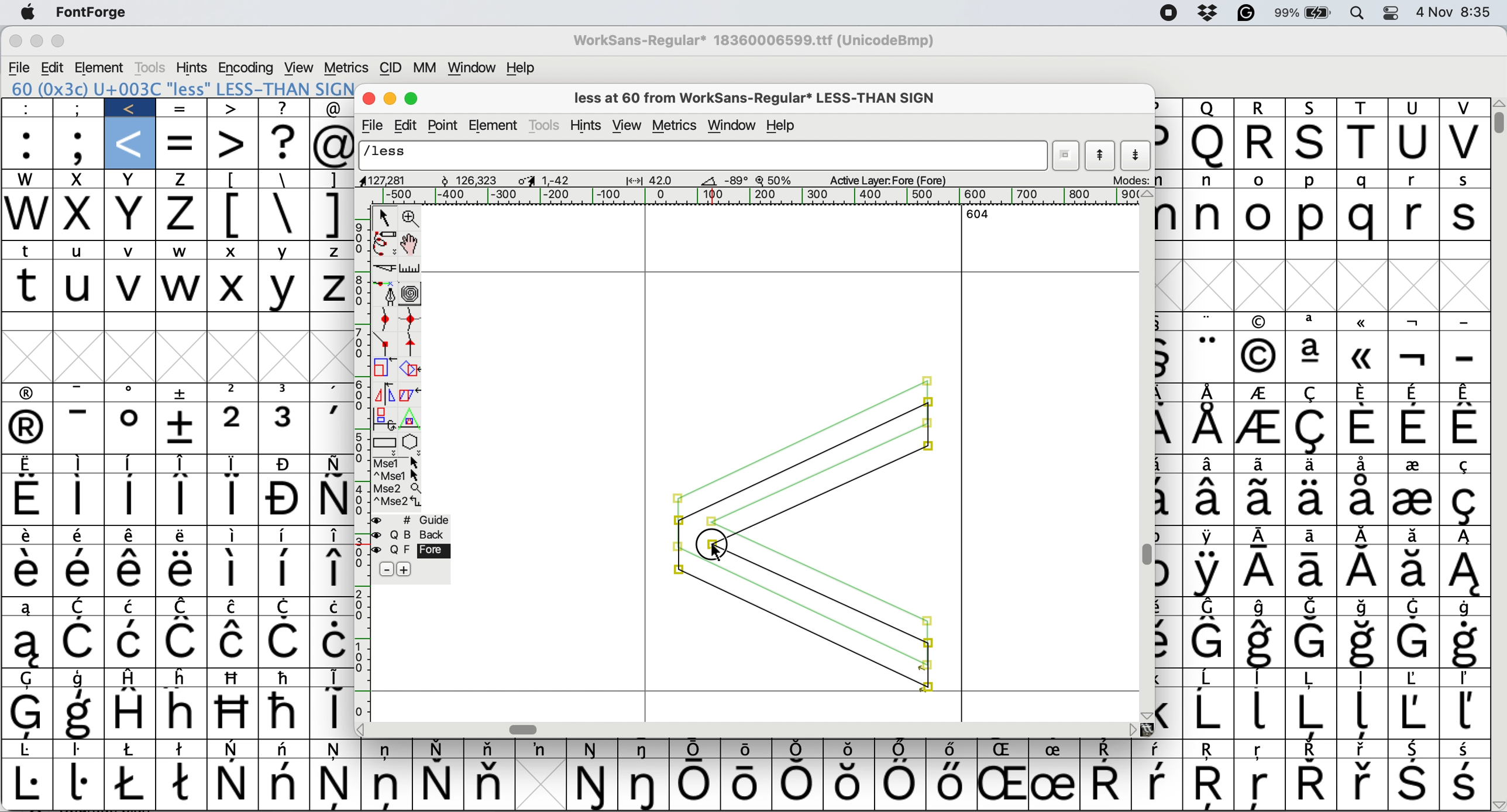  I want to click on 60 (0x3c) U+003C "less" LESS-THAN SIGN, so click(181, 88).